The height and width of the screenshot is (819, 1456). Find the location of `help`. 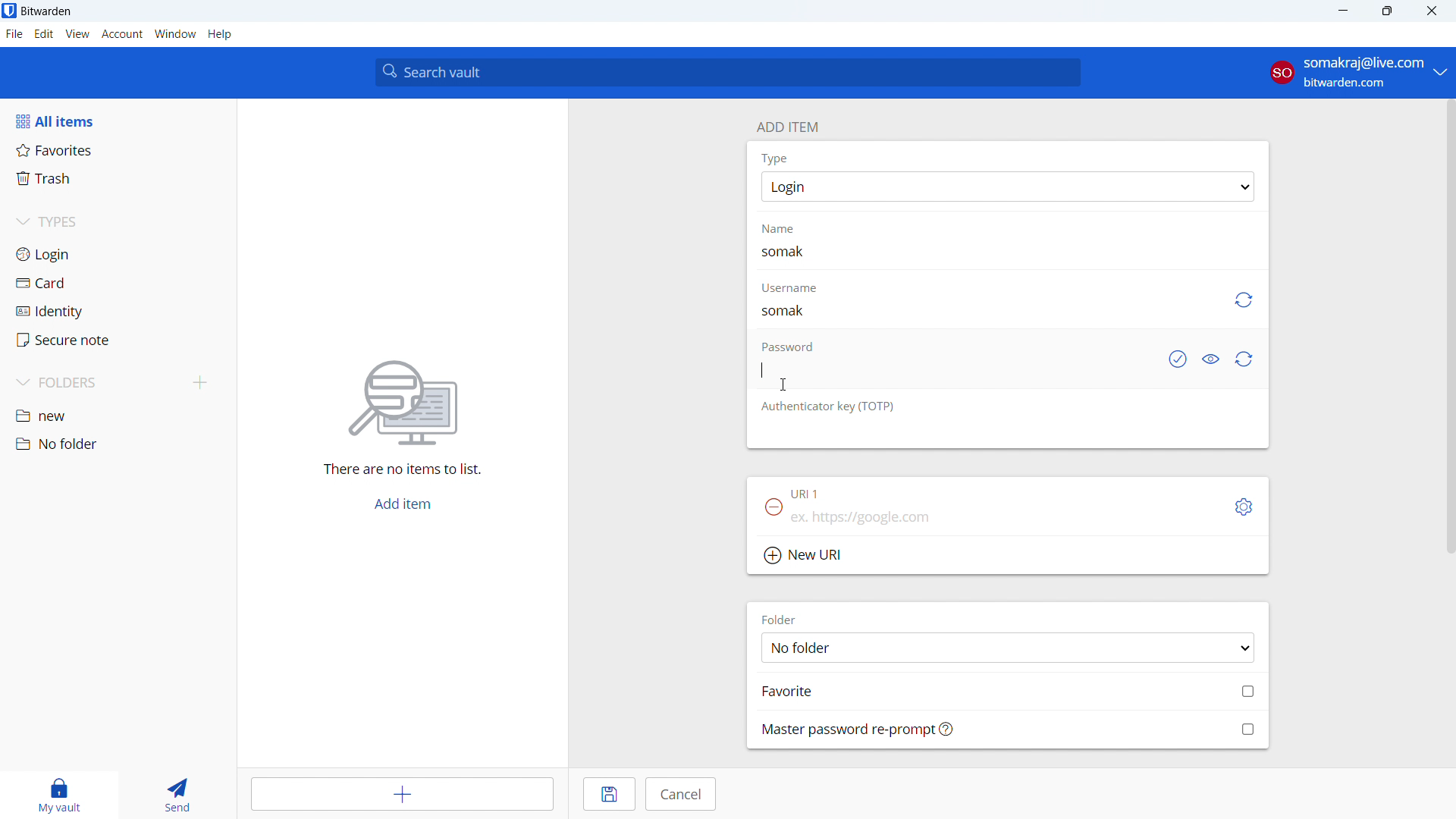

help is located at coordinates (220, 34).